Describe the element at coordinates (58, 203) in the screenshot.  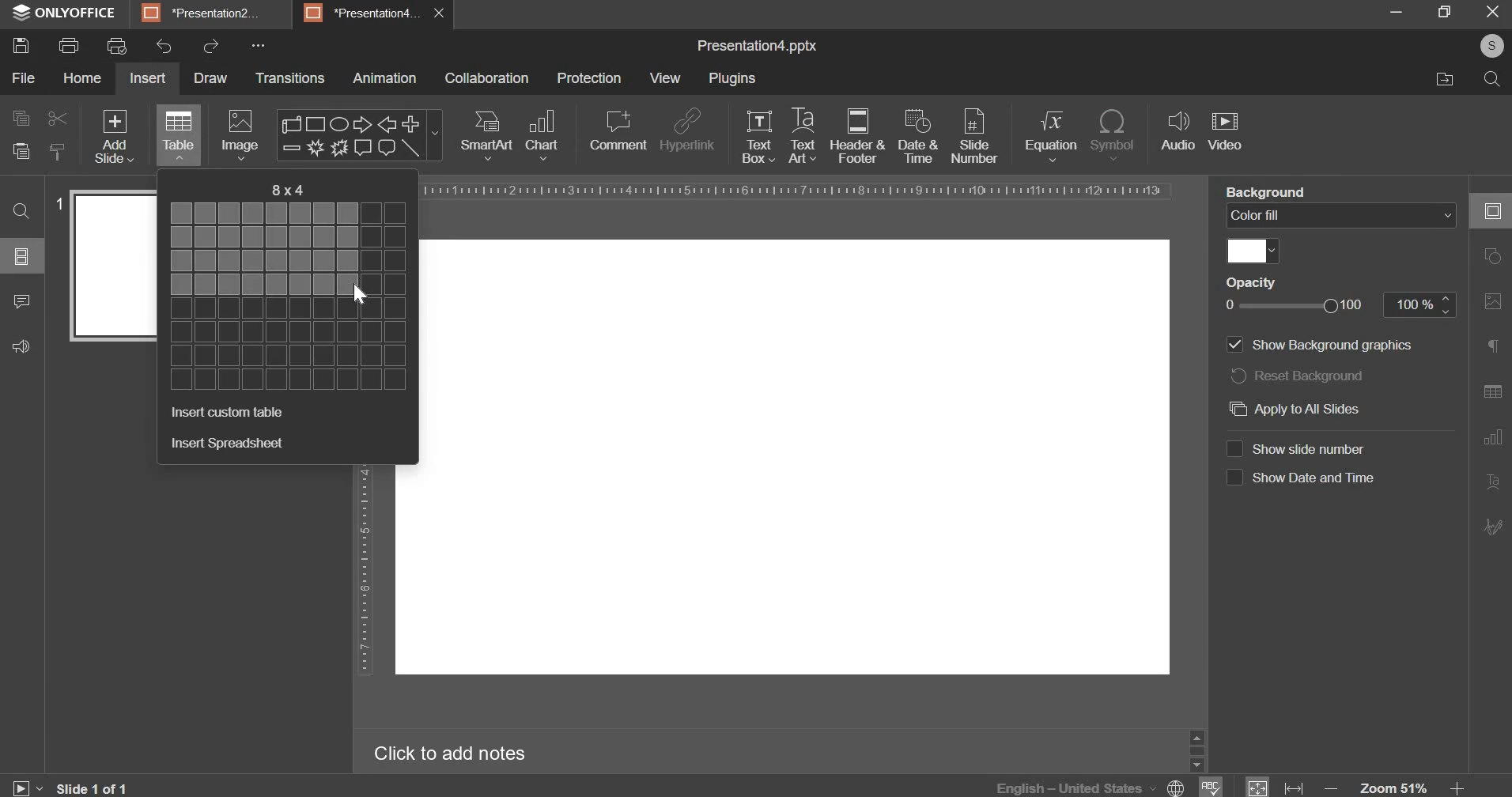
I see `1` at that location.